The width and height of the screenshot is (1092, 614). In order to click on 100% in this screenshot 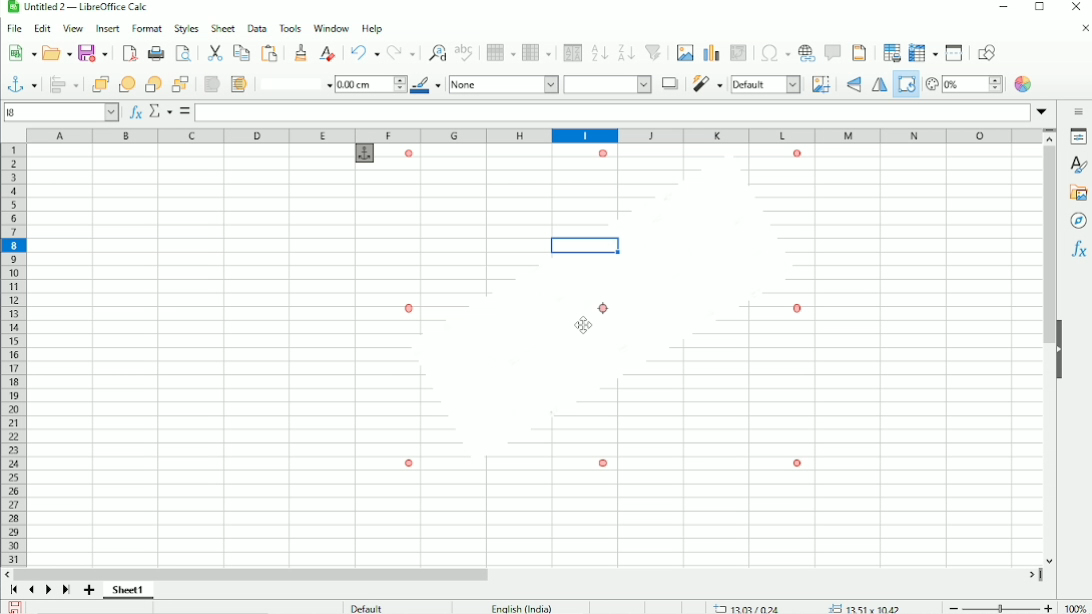, I will do `click(1075, 605)`.